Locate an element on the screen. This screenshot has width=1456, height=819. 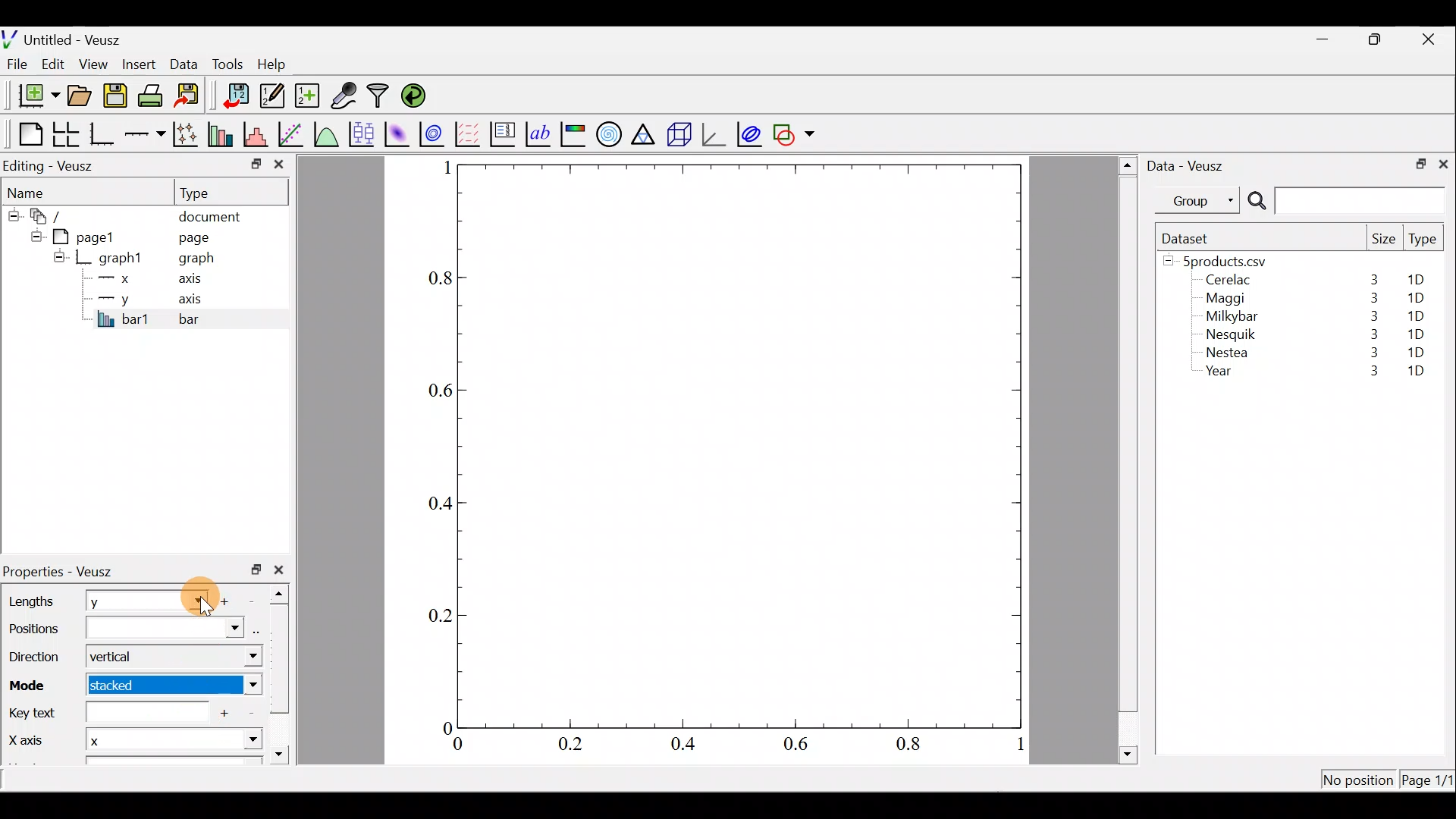
Positions is located at coordinates (124, 631).